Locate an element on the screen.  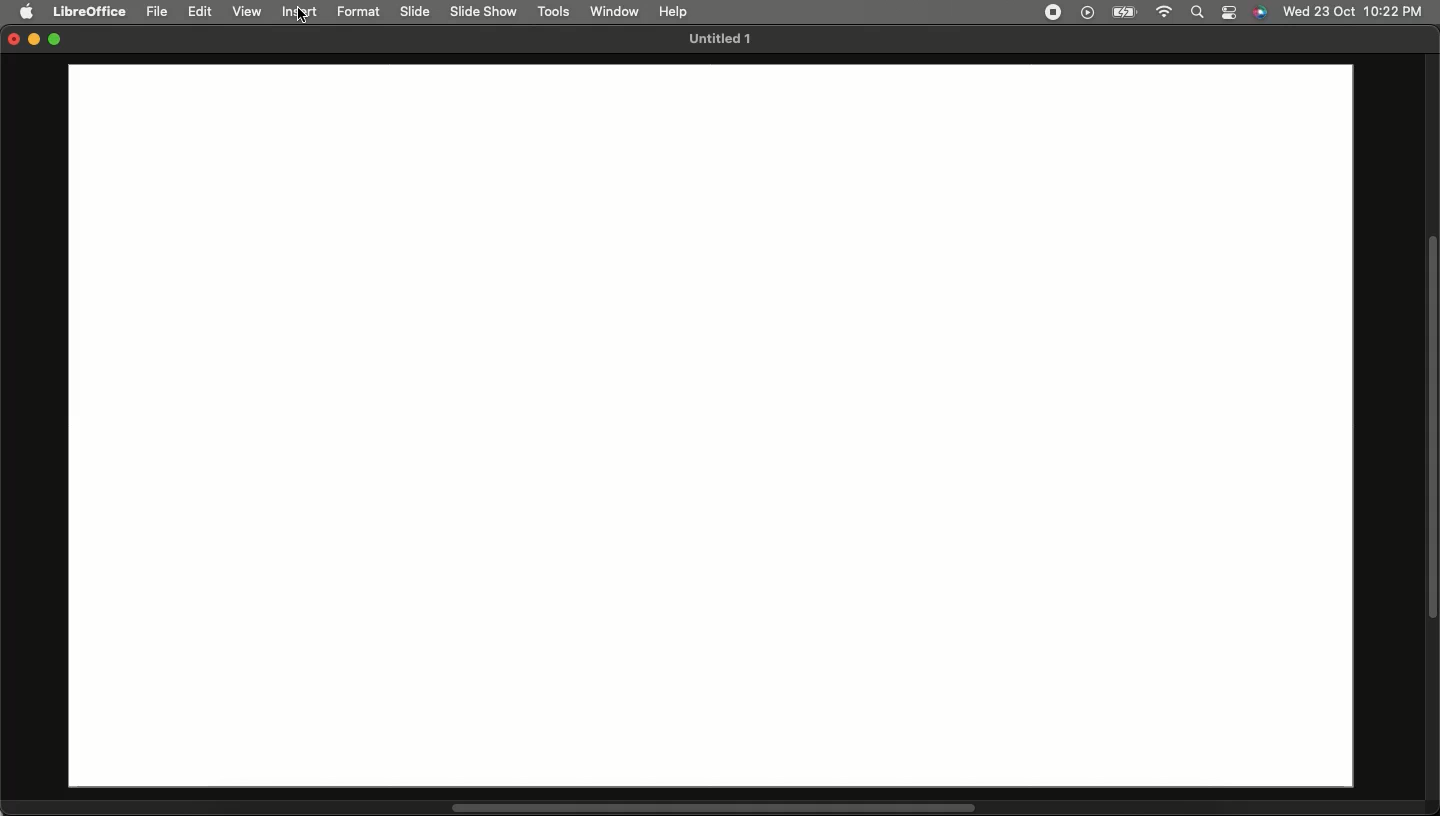
Format is located at coordinates (363, 13).